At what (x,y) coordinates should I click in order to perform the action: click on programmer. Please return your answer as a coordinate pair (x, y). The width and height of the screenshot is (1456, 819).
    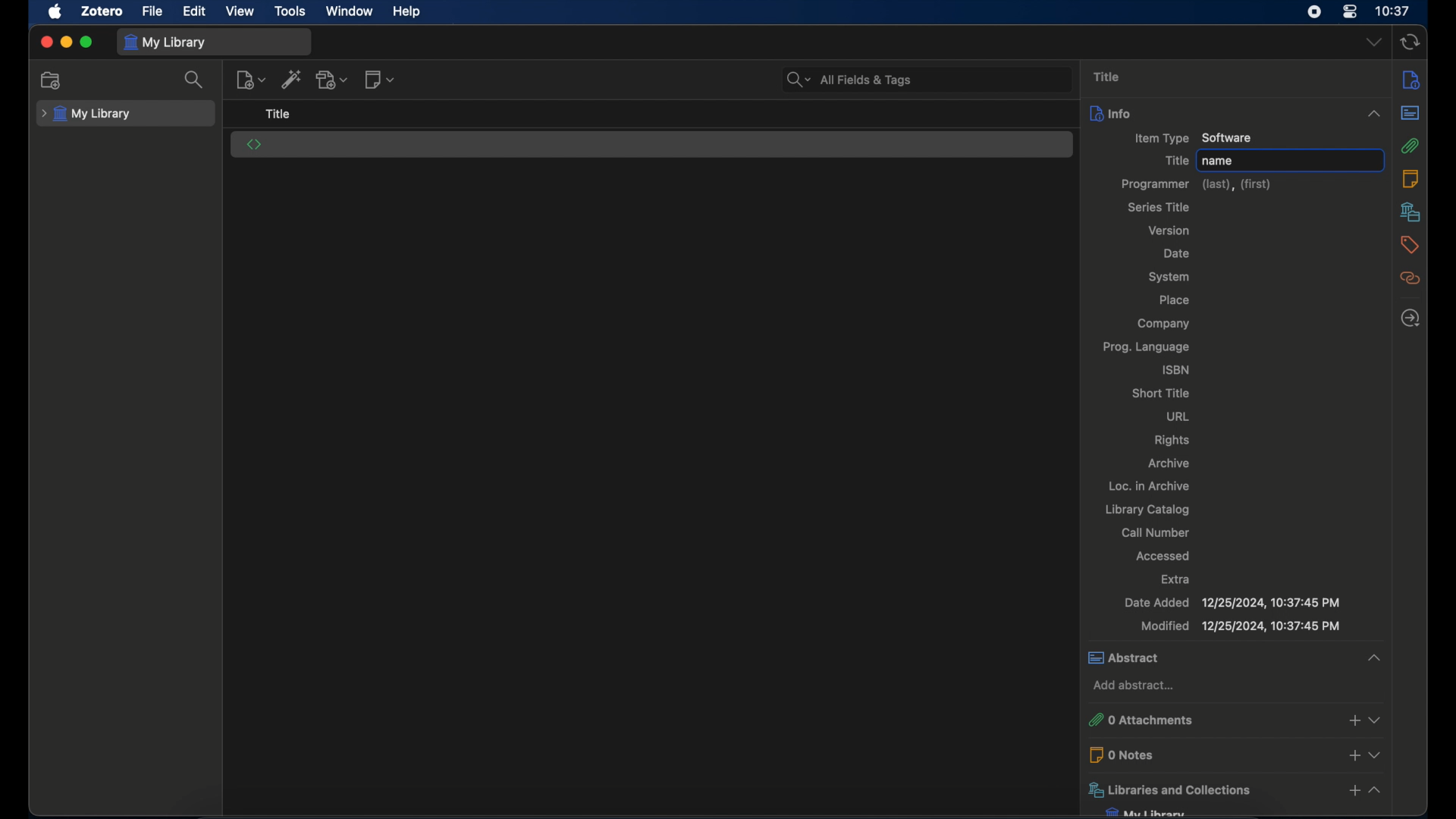
    Looking at the image, I should click on (1197, 184).